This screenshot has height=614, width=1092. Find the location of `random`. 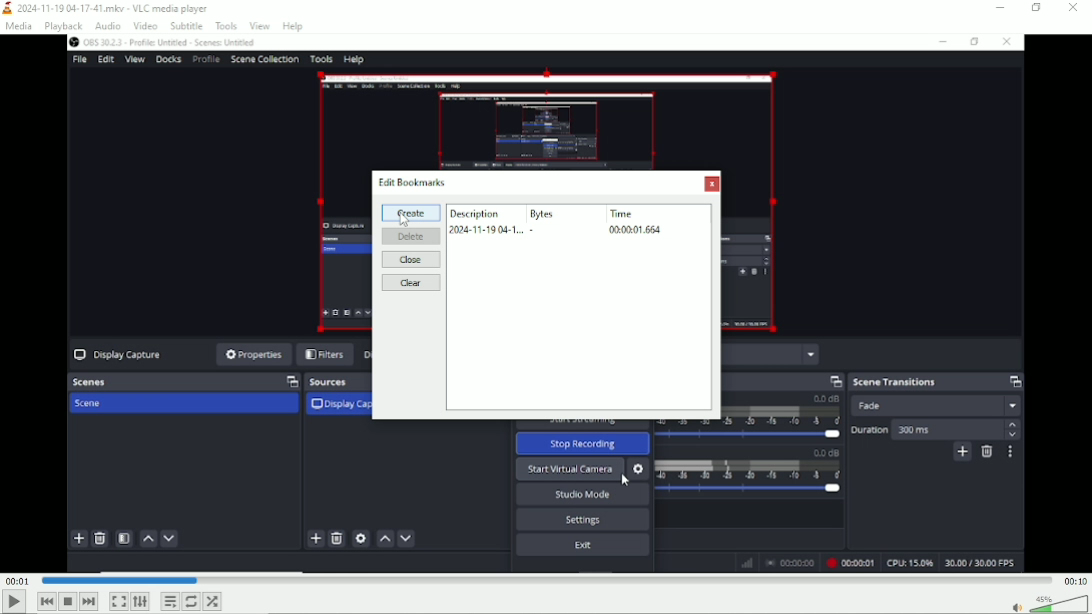

random is located at coordinates (213, 601).